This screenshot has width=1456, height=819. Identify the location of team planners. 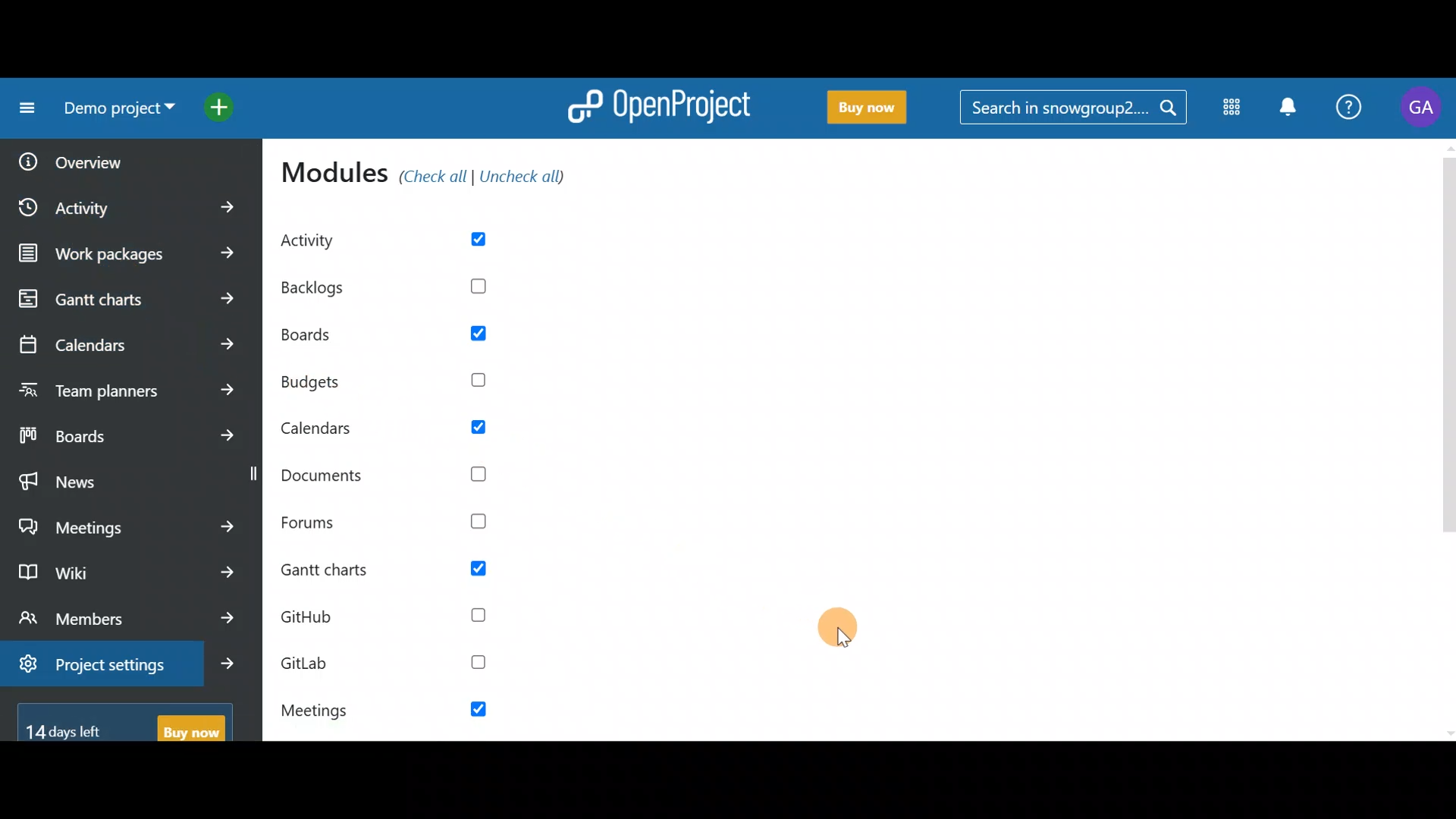
(128, 389).